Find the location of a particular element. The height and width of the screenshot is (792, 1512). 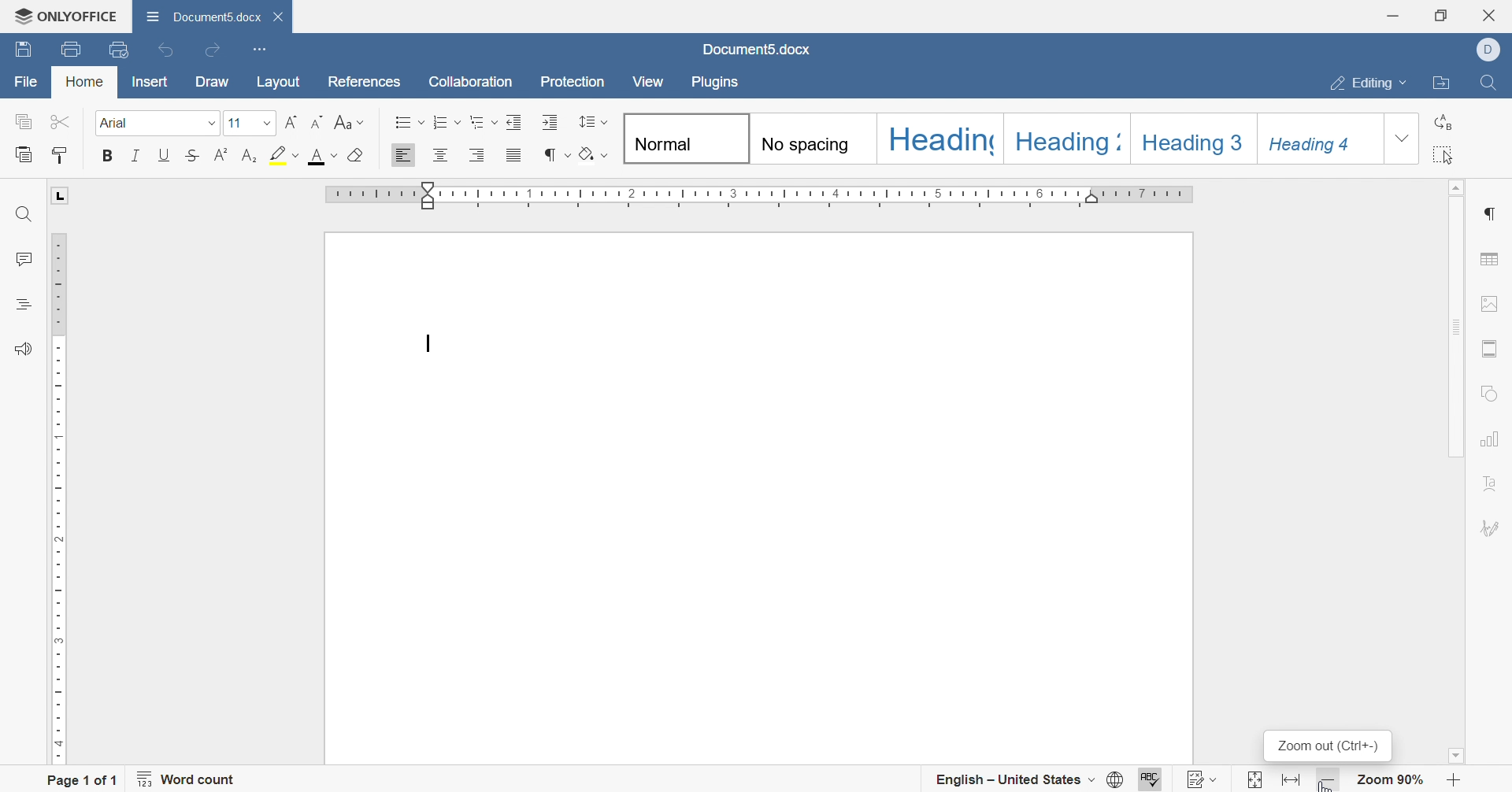

chart settings is located at coordinates (1492, 439).